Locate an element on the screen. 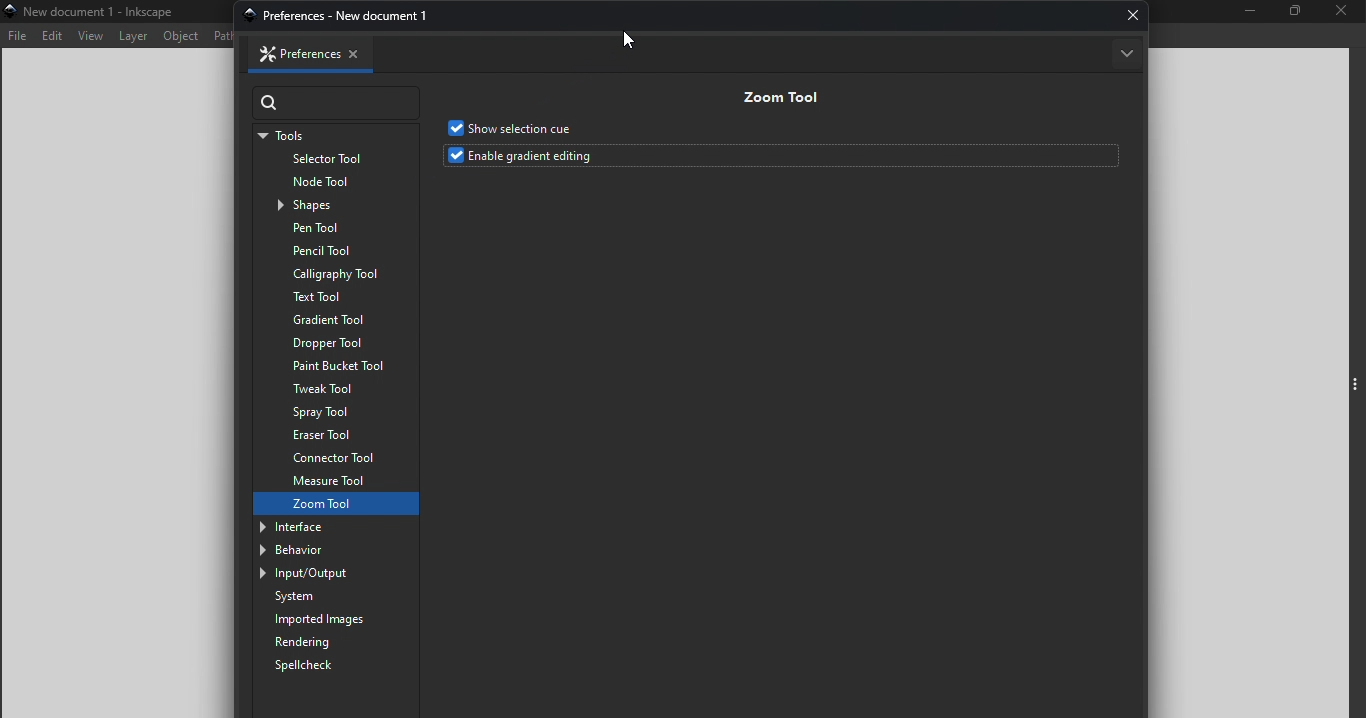 This screenshot has width=1366, height=718. Zoom tool is located at coordinates (780, 96).